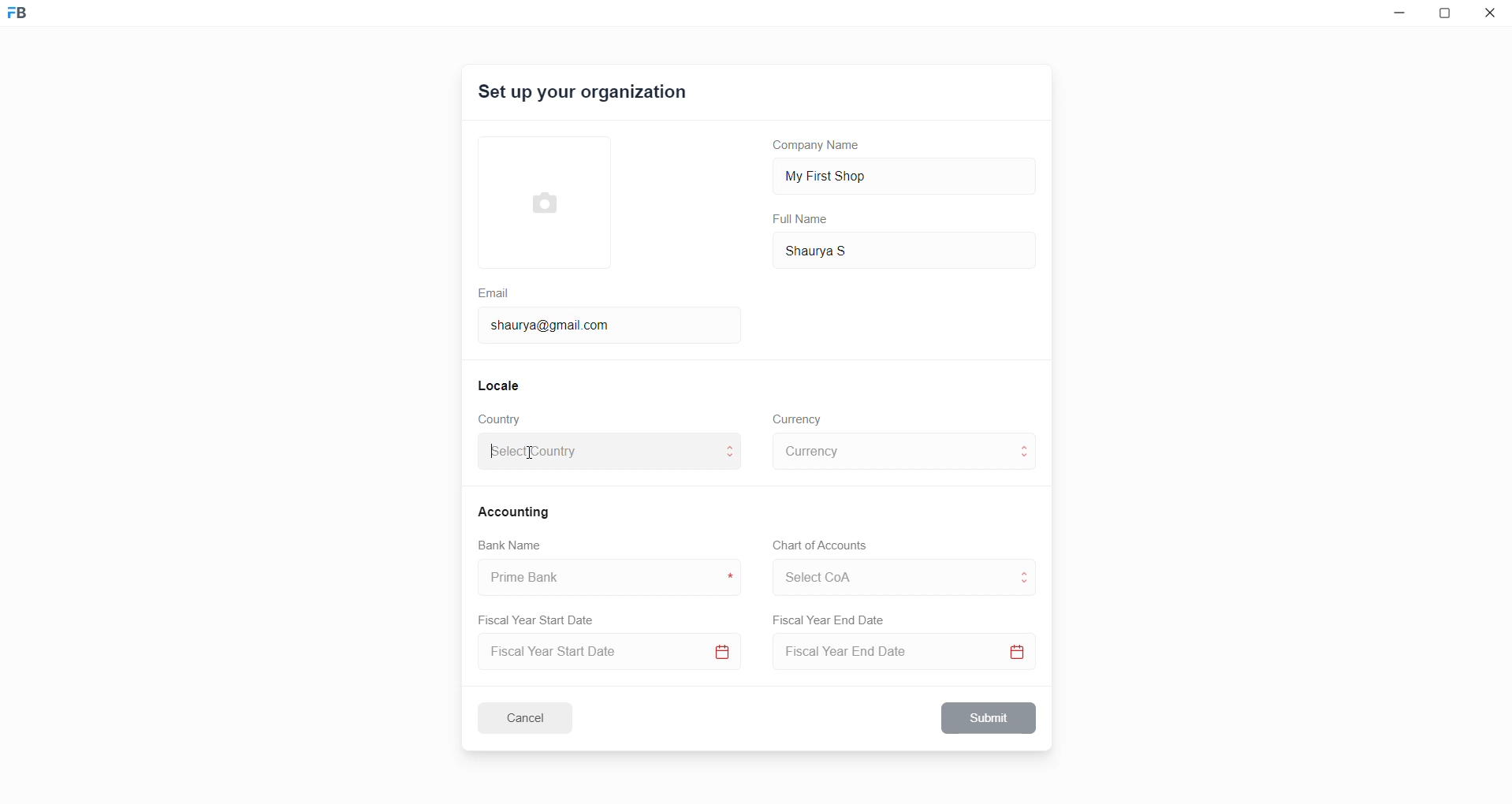 The image size is (1512, 804). I want to click on Chart of Accounts, so click(815, 545).